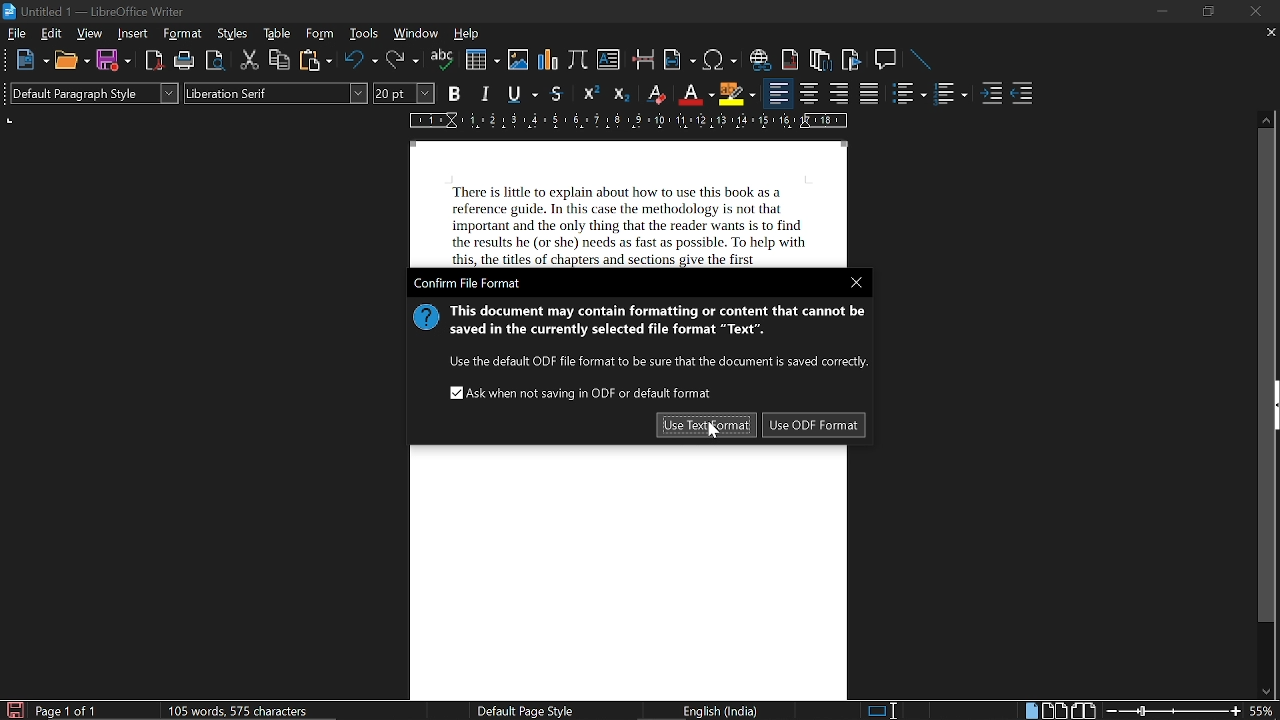  Describe the element at coordinates (1022, 94) in the screenshot. I see `decrease indent` at that location.